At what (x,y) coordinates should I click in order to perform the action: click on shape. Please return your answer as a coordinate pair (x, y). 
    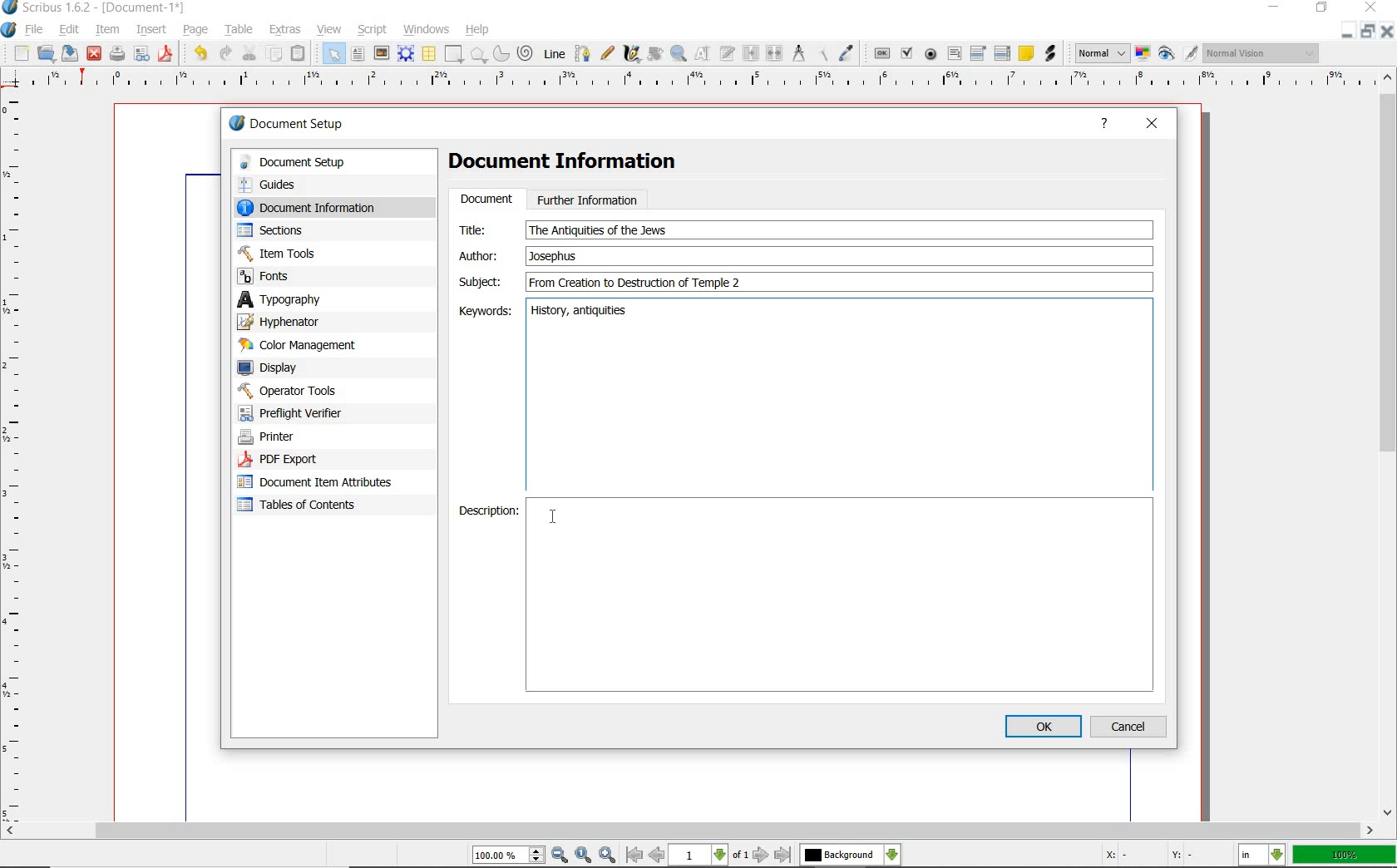
    Looking at the image, I should click on (478, 54).